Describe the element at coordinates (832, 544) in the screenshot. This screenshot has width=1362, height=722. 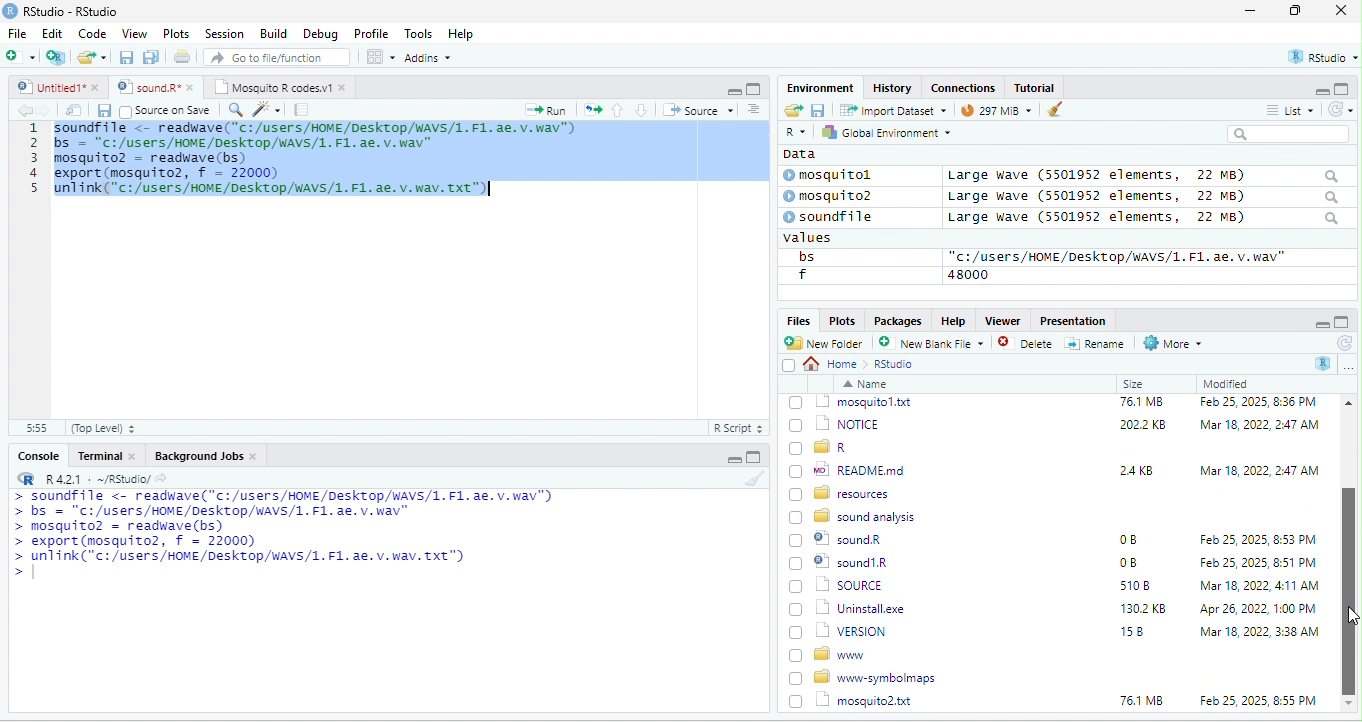
I see `(7) 1 NOTICE` at that location.